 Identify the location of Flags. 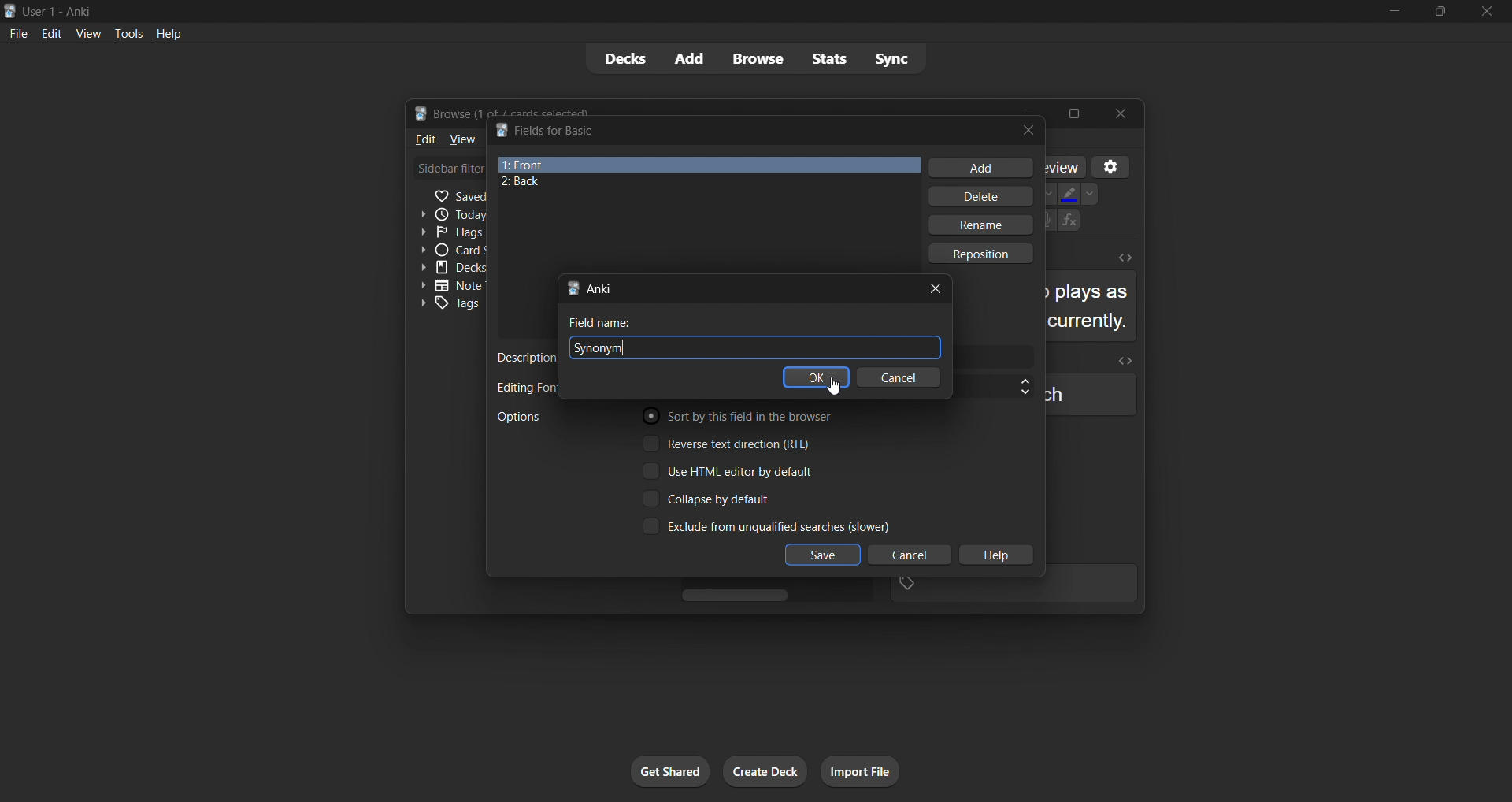
(447, 232).